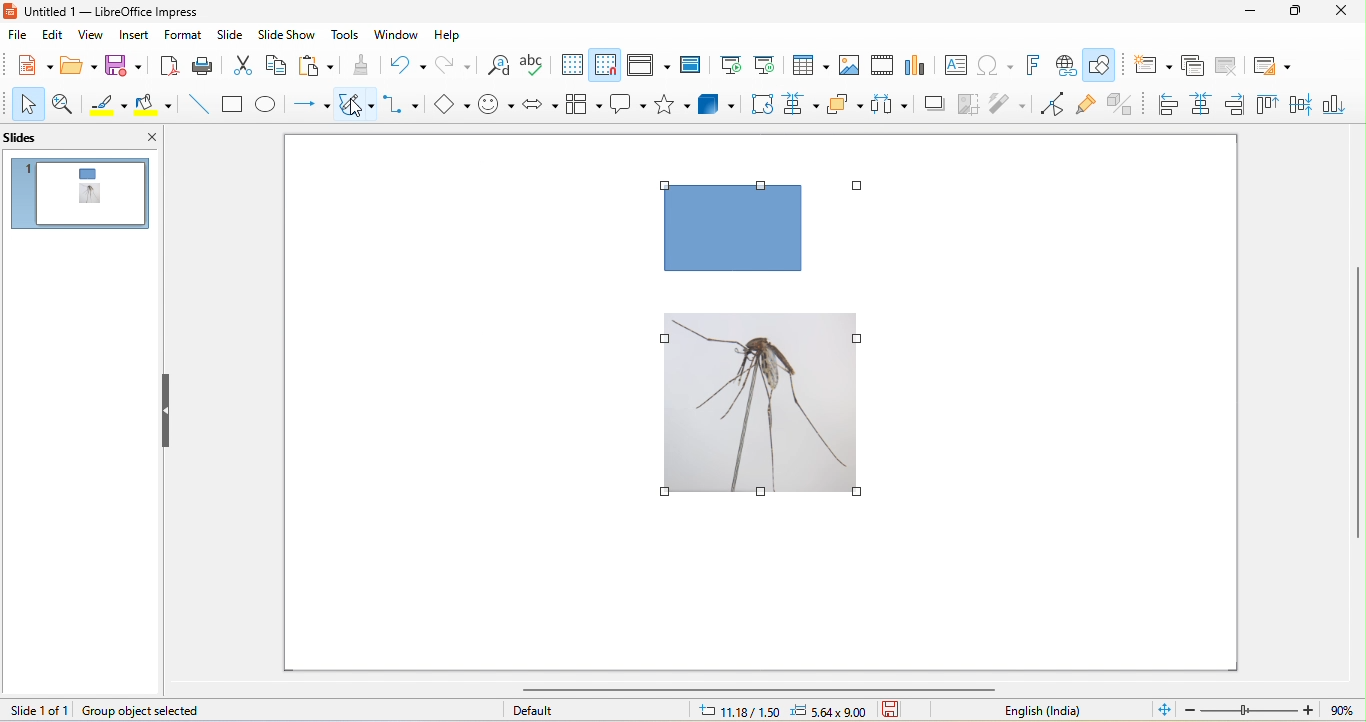 The height and width of the screenshot is (722, 1366). Describe the element at coordinates (240, 64) in the screenshot. I see `cut` at that location.